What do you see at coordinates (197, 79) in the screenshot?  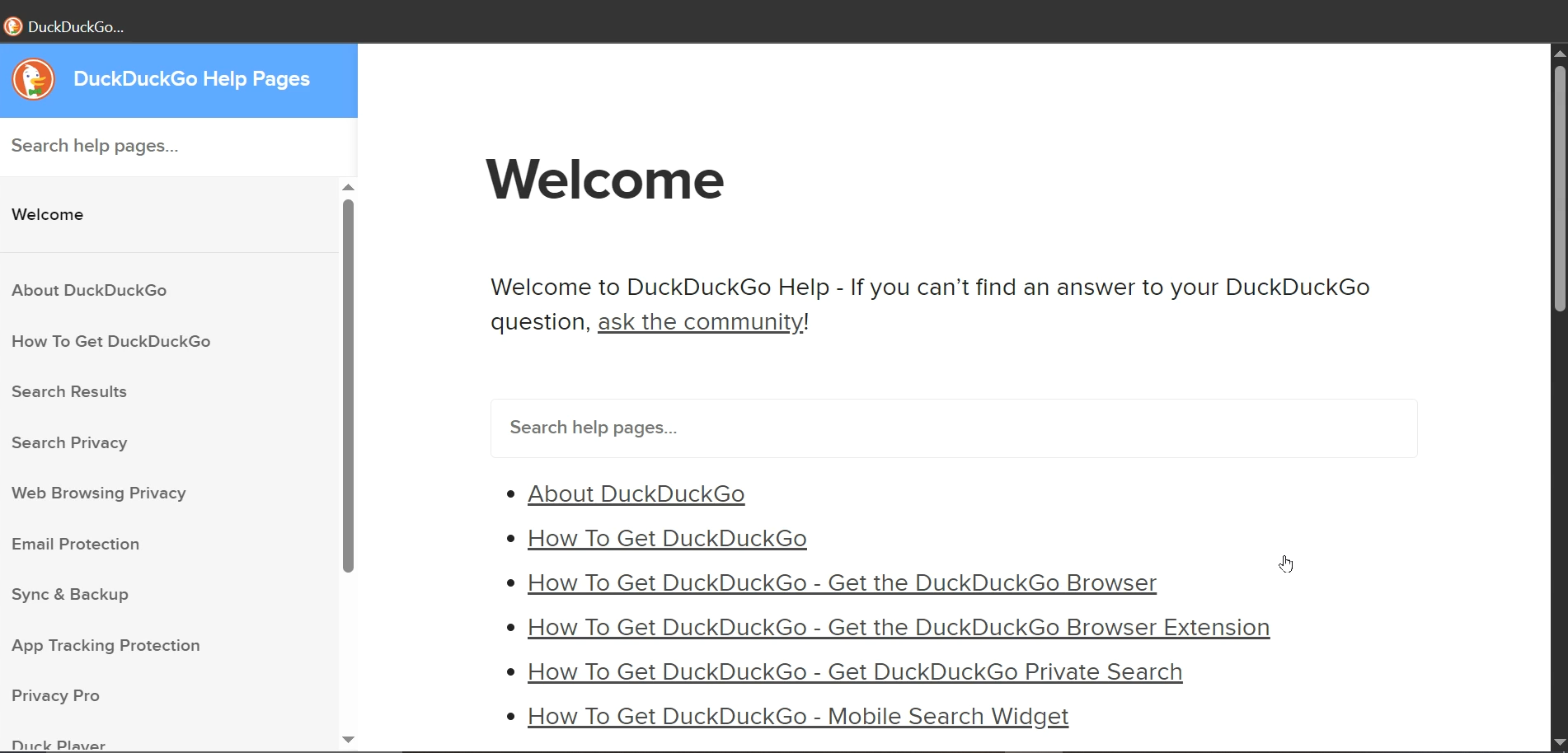 I see `DuckDuckGo Help Pages` at bounding box center [197, 79].